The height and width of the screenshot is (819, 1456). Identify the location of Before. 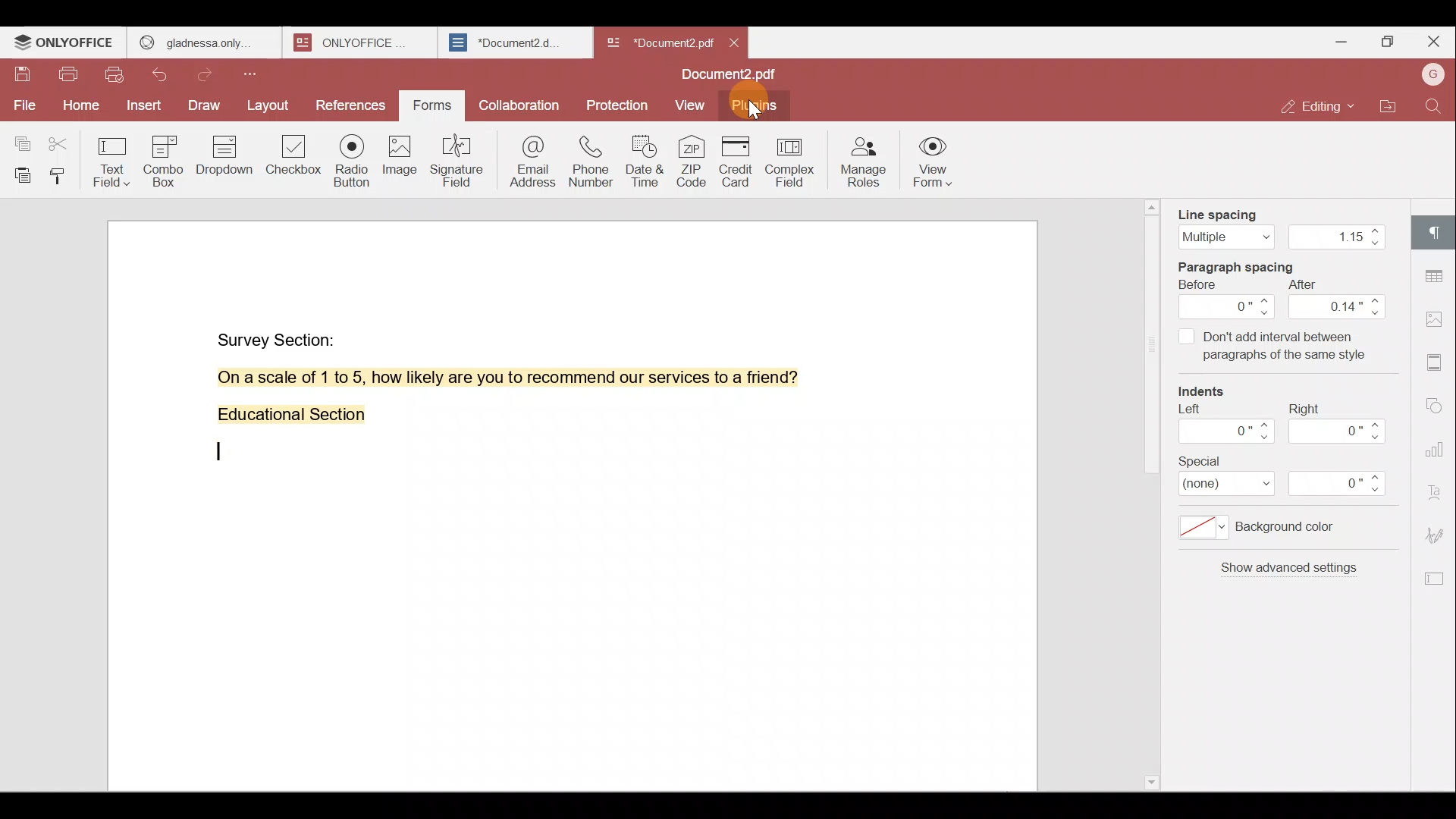
(1228, 300).